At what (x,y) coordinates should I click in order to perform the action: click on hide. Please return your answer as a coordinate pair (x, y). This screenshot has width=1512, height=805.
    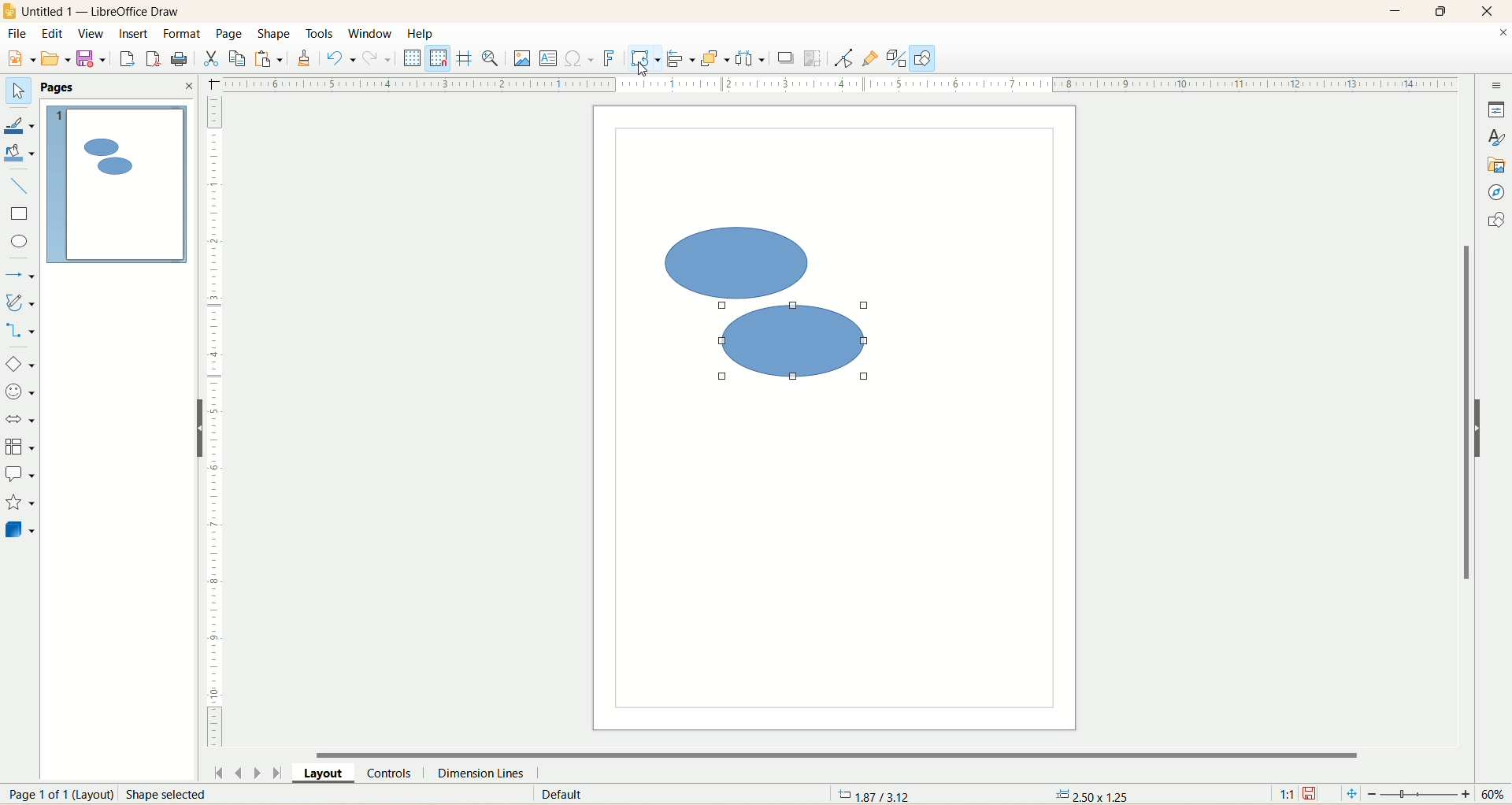
    Looking at the image, I should click on (1482, 427).